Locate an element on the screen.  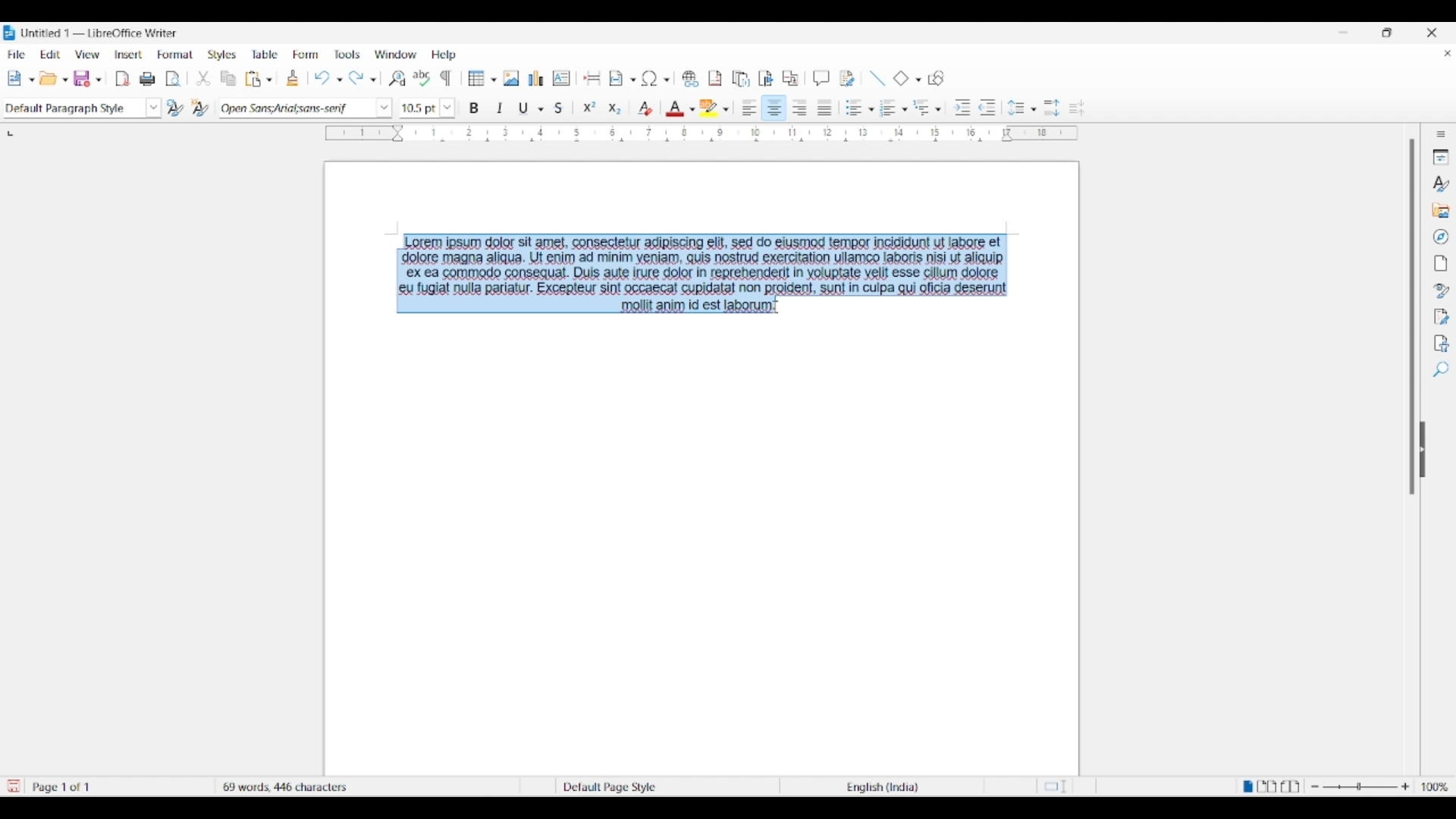
Insert chart is located at coordinates (536, 78).